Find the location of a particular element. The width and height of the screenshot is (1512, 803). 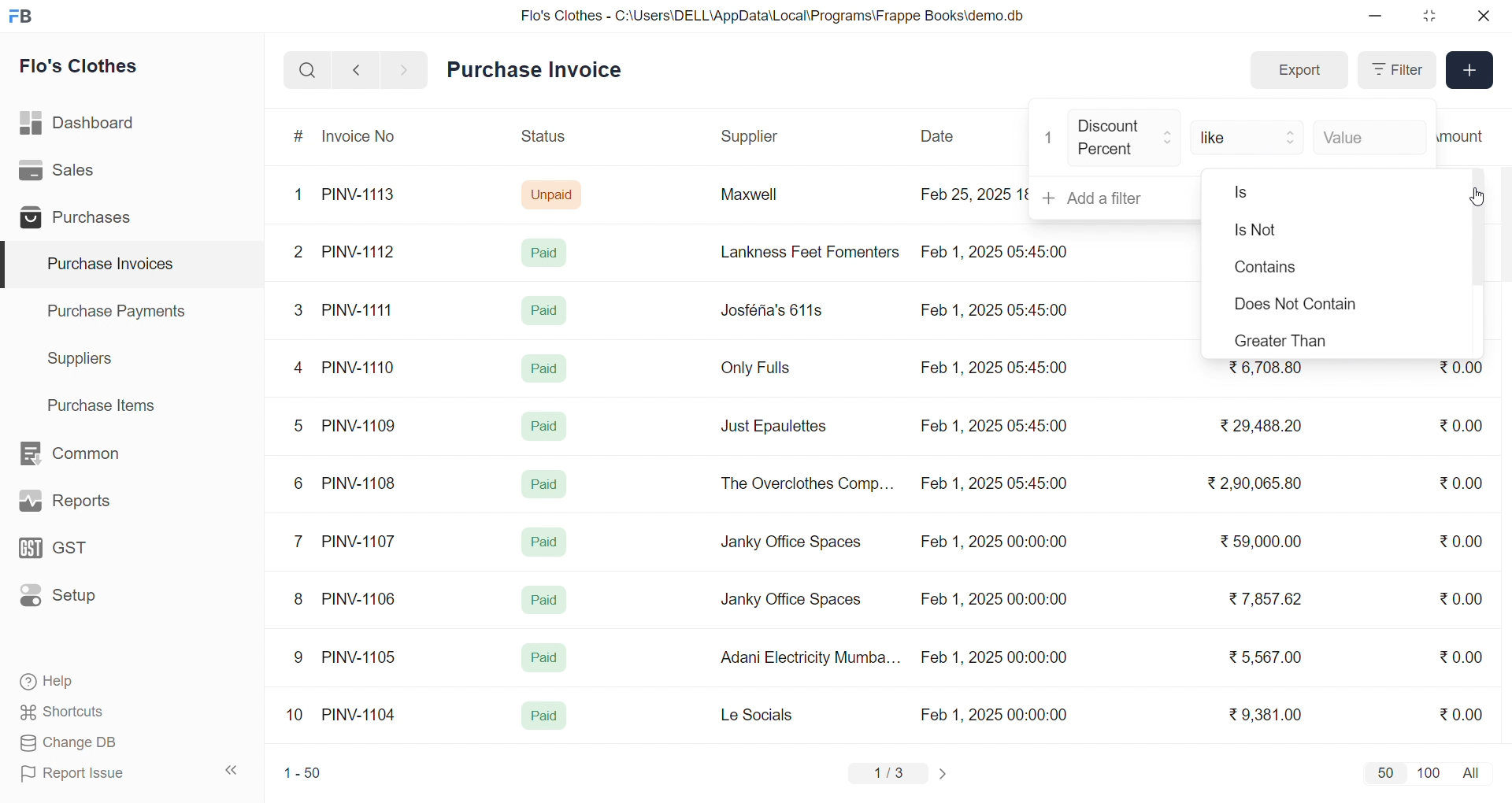

vertical scroll bar is located at coordinates (1477, 231).